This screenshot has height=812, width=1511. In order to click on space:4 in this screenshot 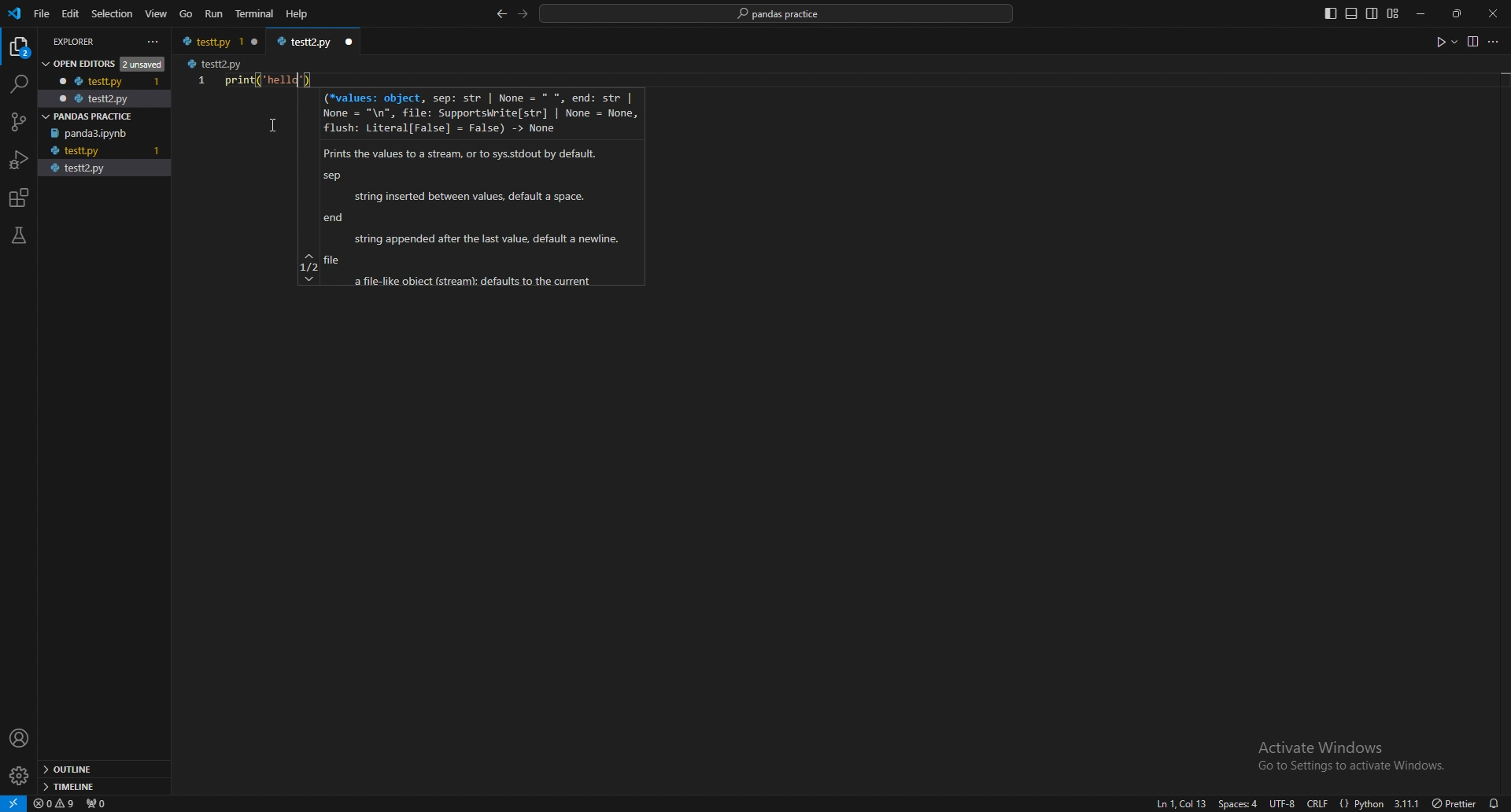, I will do `click(1236, 803)`.